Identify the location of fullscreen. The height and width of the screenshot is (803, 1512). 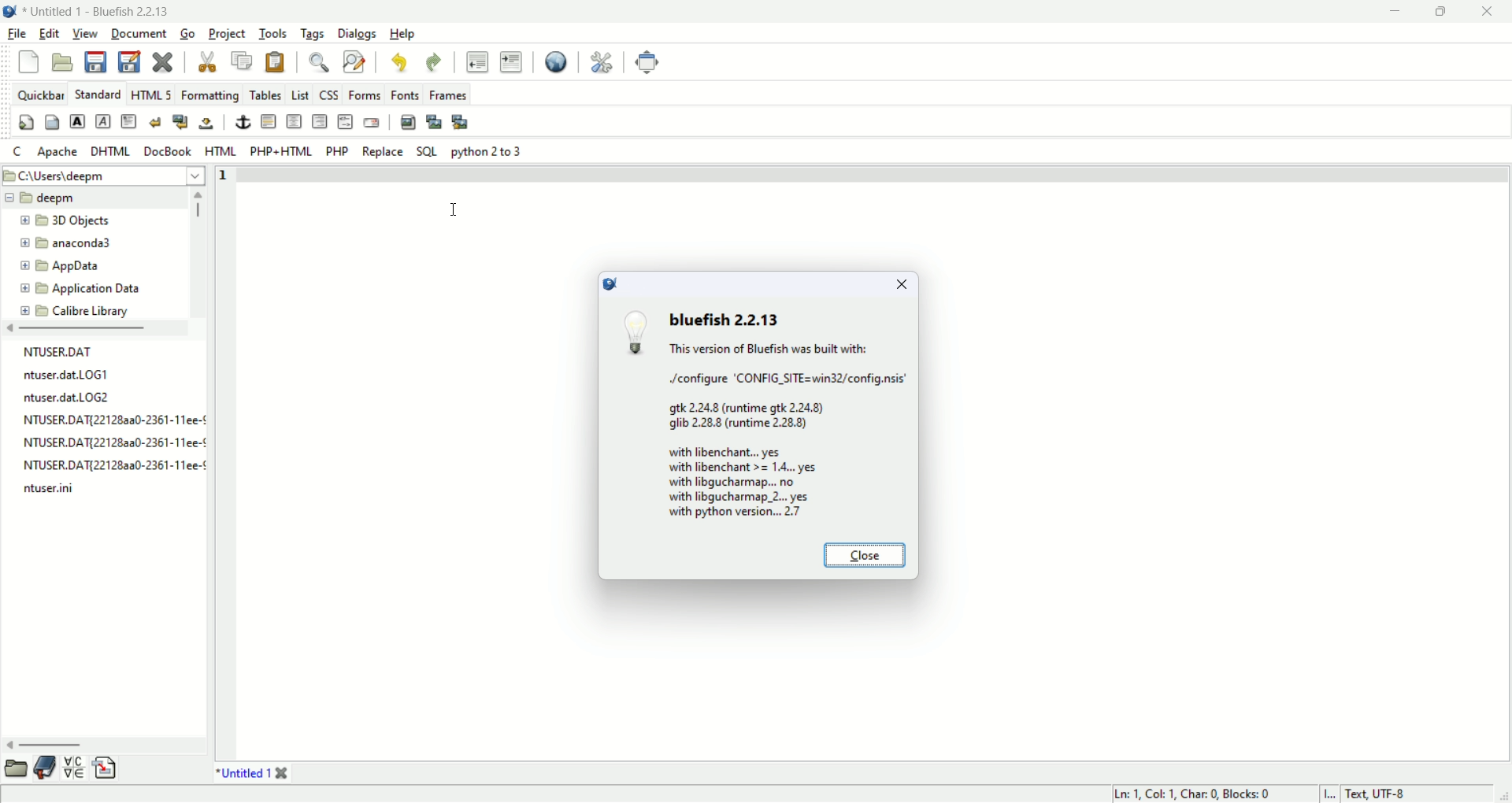
(646, 64).